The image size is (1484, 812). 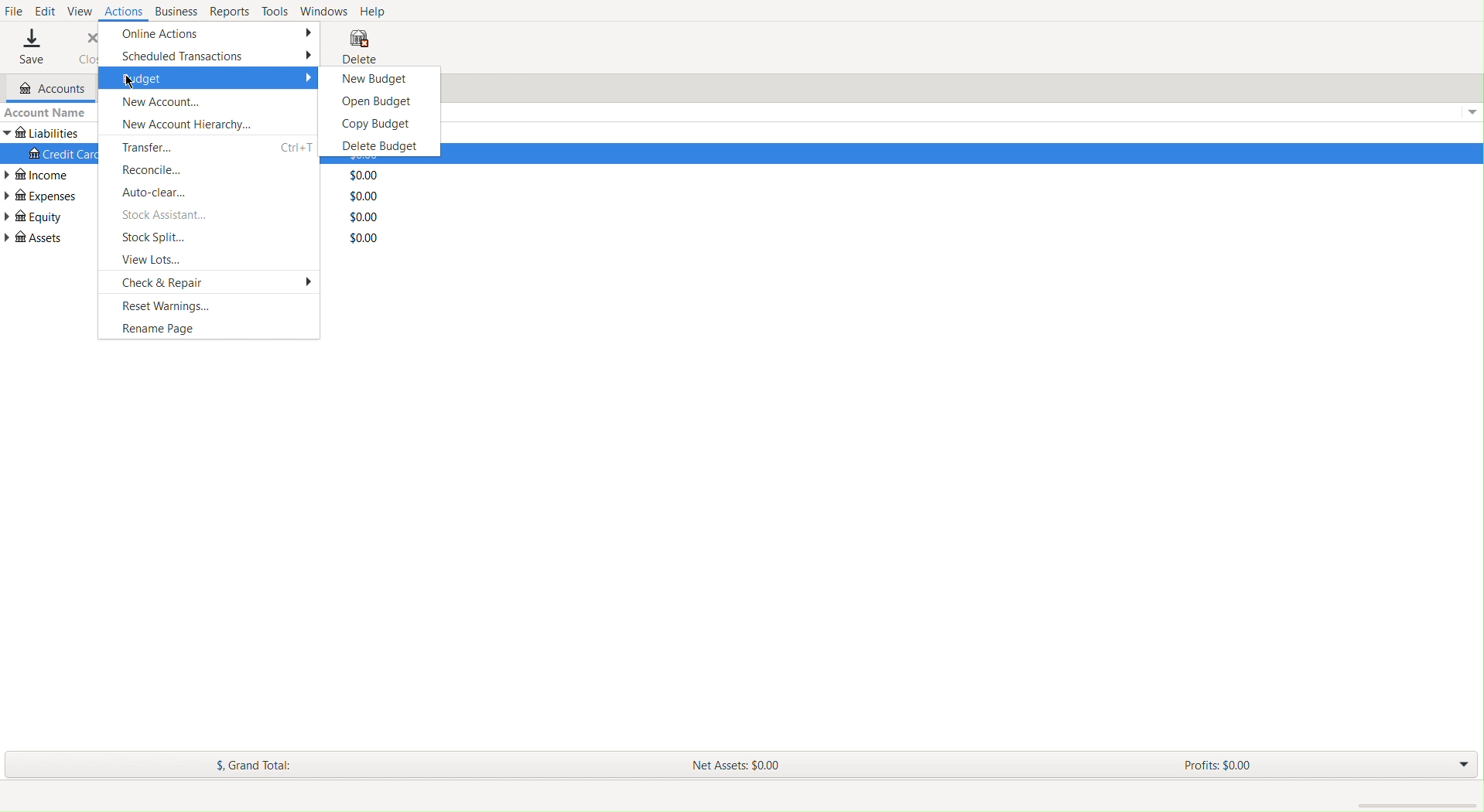 I want to click on Accounts, so click(x=46, y=89).